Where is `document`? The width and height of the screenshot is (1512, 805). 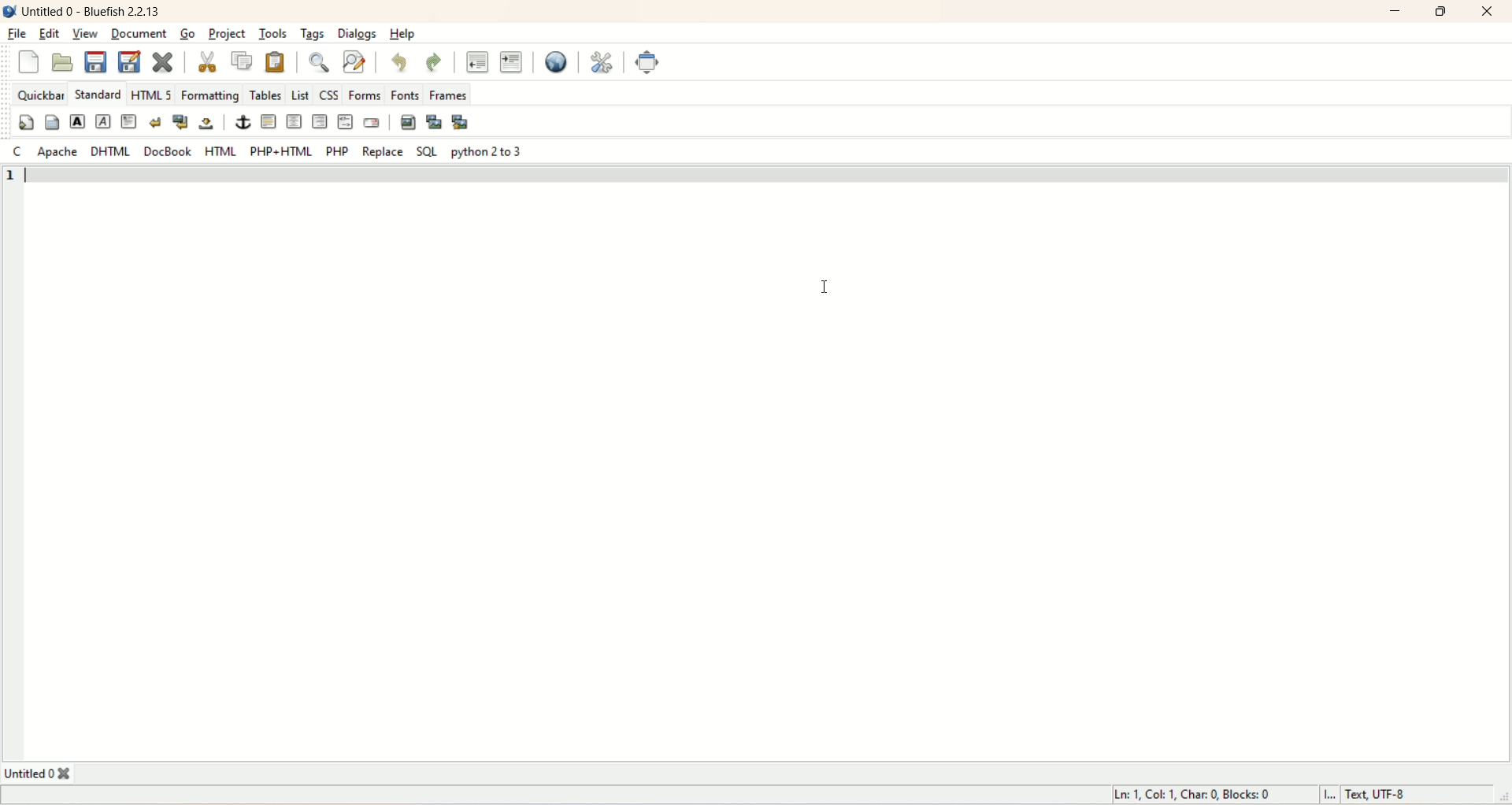 document is located at coordinates (139, 34).